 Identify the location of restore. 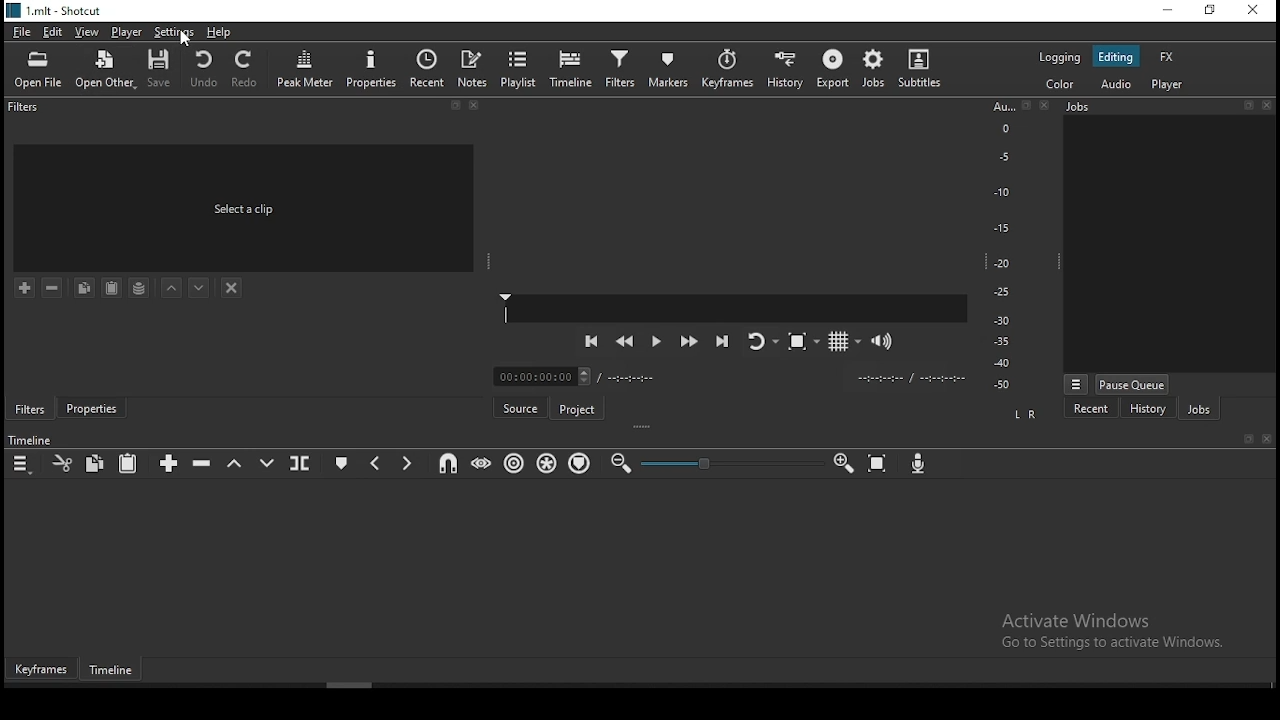
(1209, 11).